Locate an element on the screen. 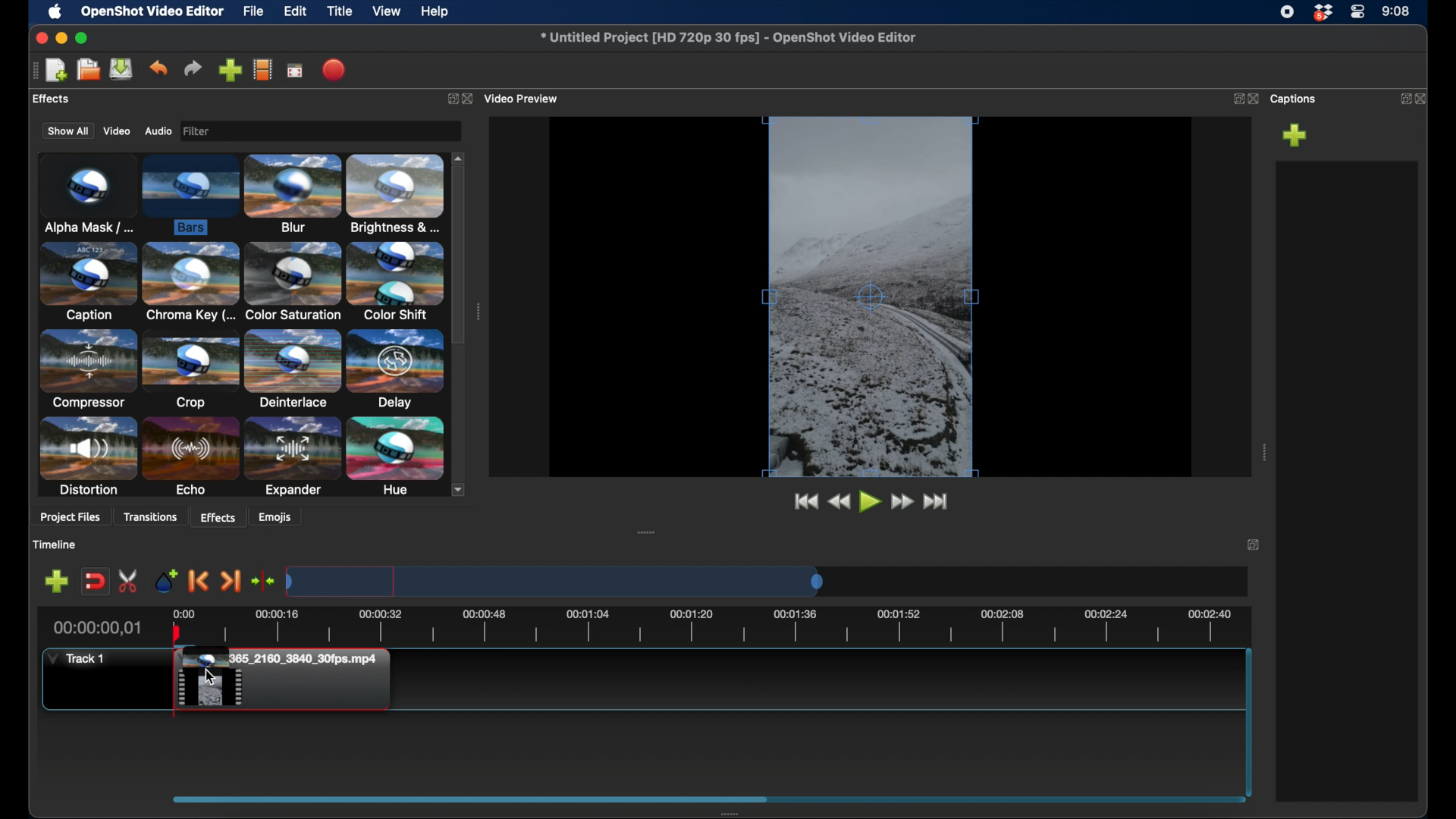 This screenshot has width=1456, height=819. blur is located at coordinates (294, 194).